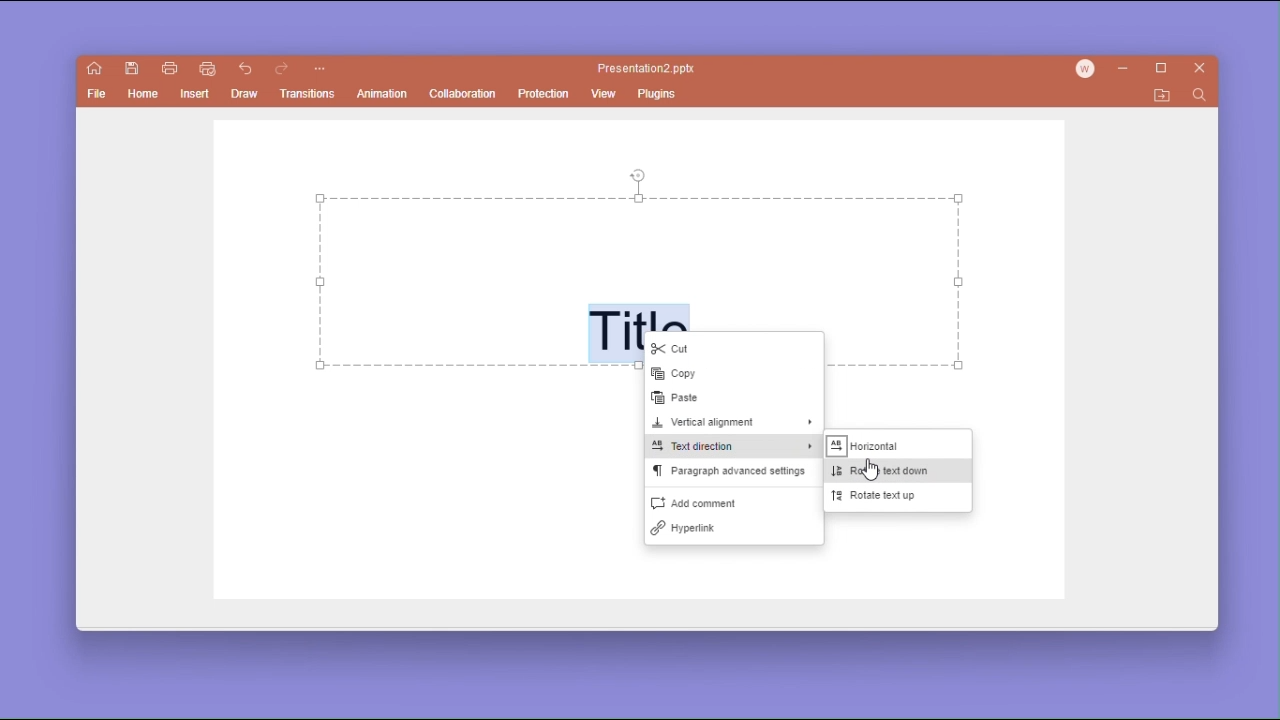 Image resolution: width=1280 pixels, height=720 pixels. I want to click on account icon, so click(1089, 69).